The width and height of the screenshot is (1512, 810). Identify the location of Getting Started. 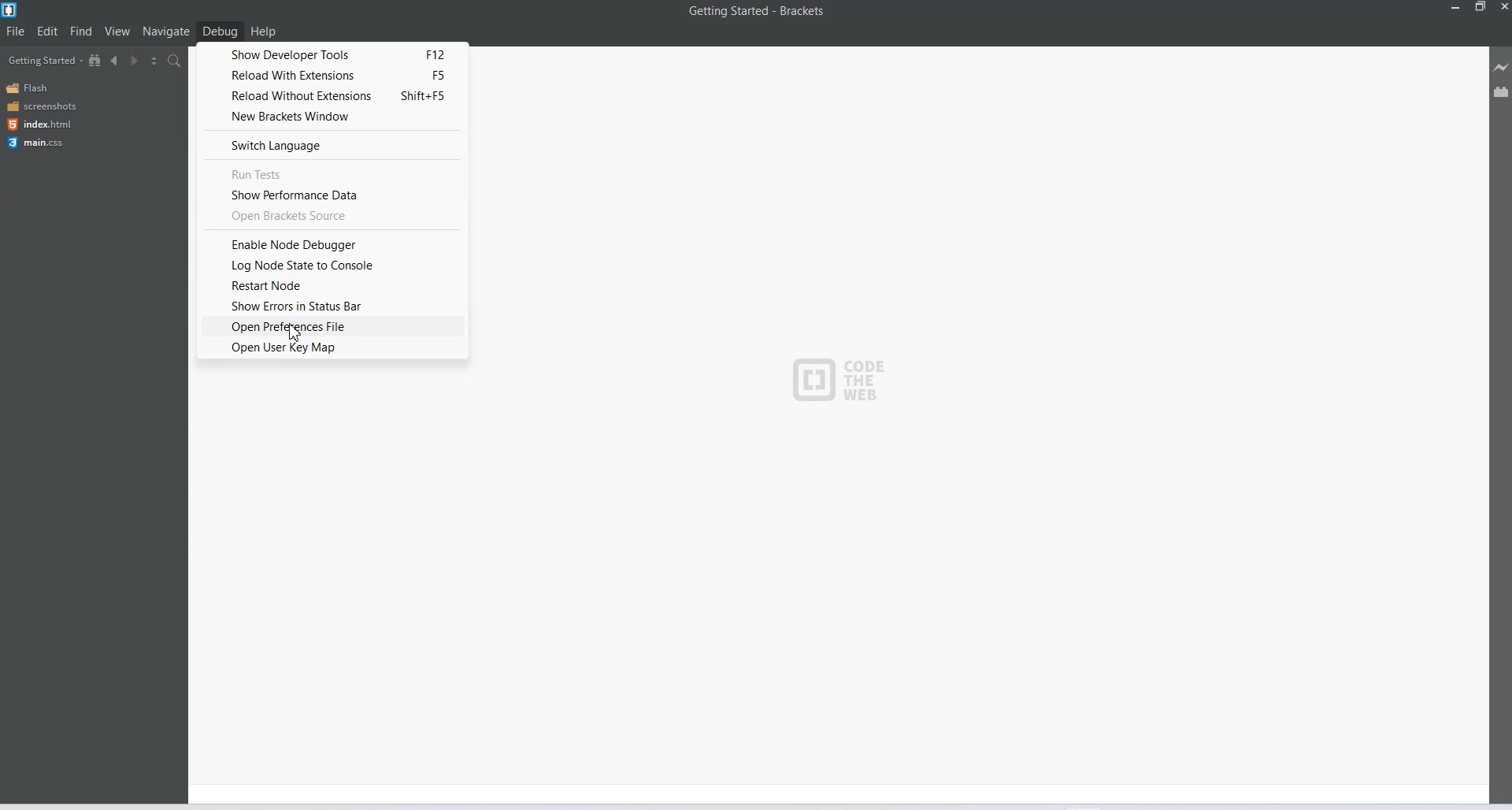
(45, 61).